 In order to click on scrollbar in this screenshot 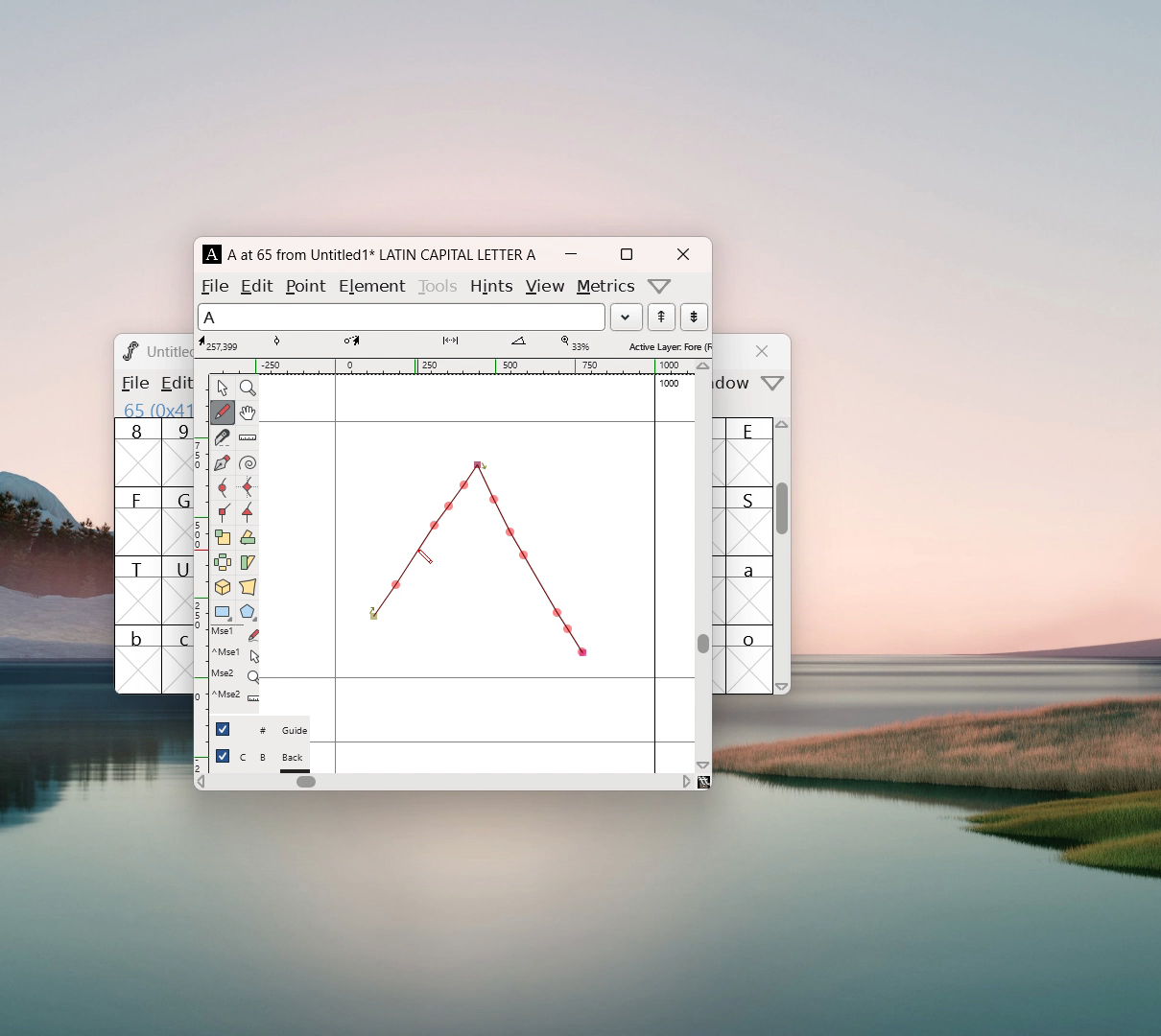, I will do `click(703, 643)`.